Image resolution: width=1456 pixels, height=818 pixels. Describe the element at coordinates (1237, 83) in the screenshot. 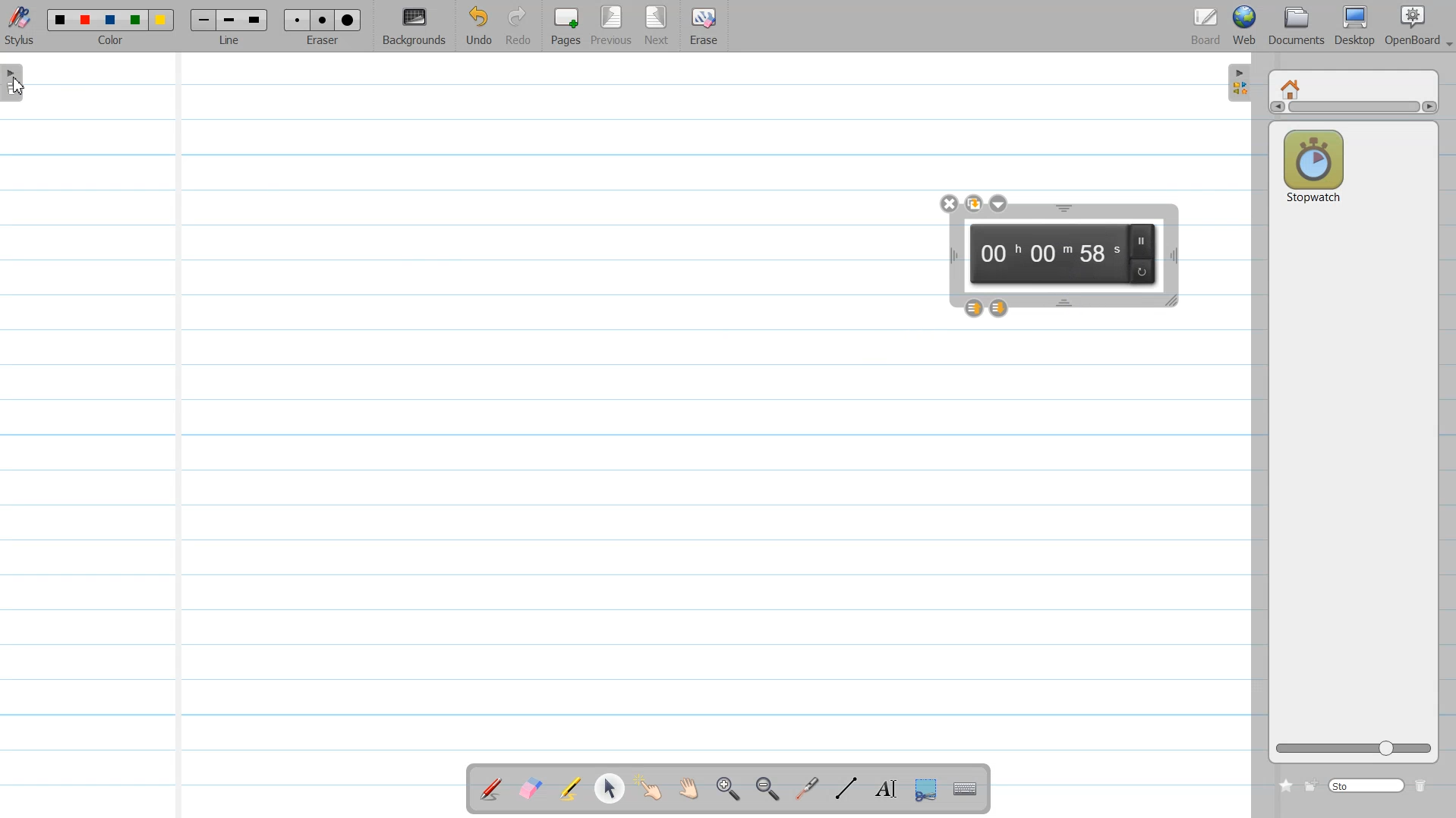

I see `Sidebar` at that location.